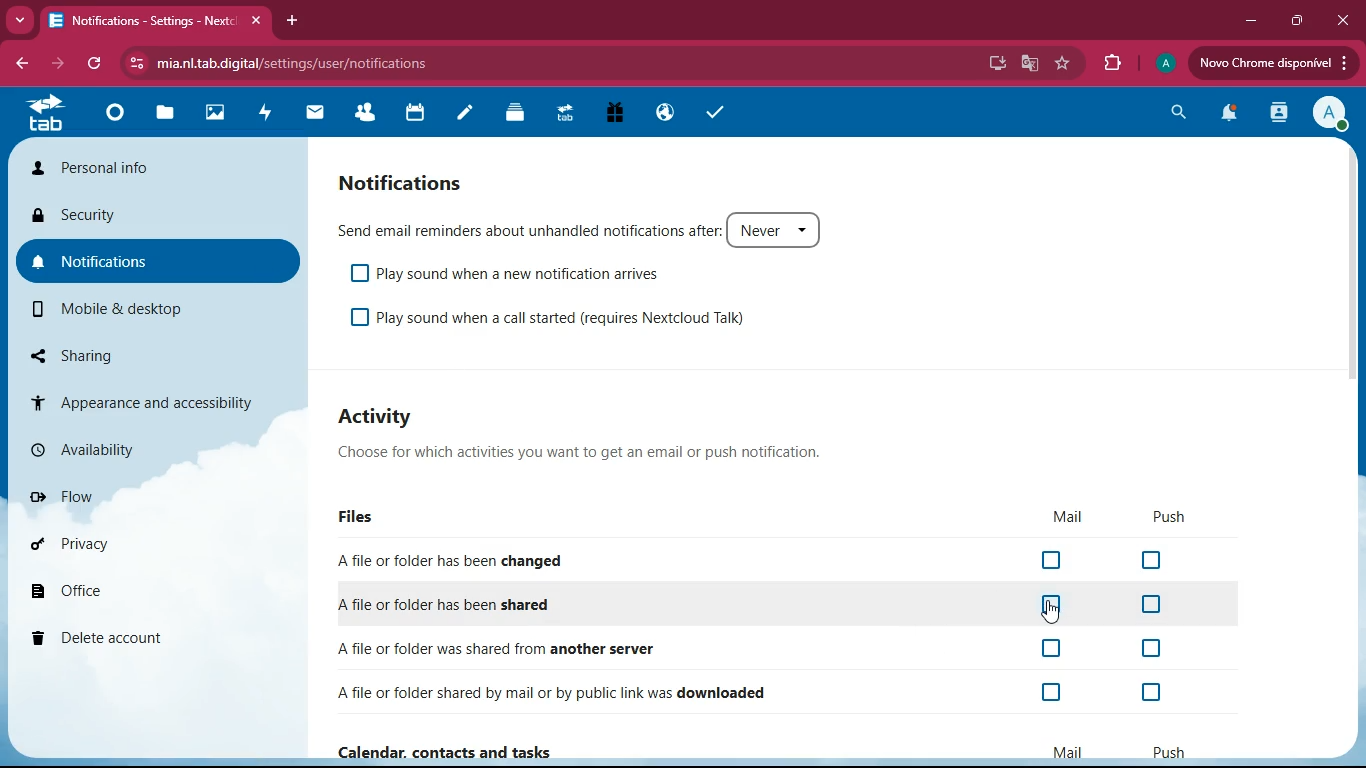  Describe the element at coordinates (1153, 649) in the screenshot. I see `off` at that location.